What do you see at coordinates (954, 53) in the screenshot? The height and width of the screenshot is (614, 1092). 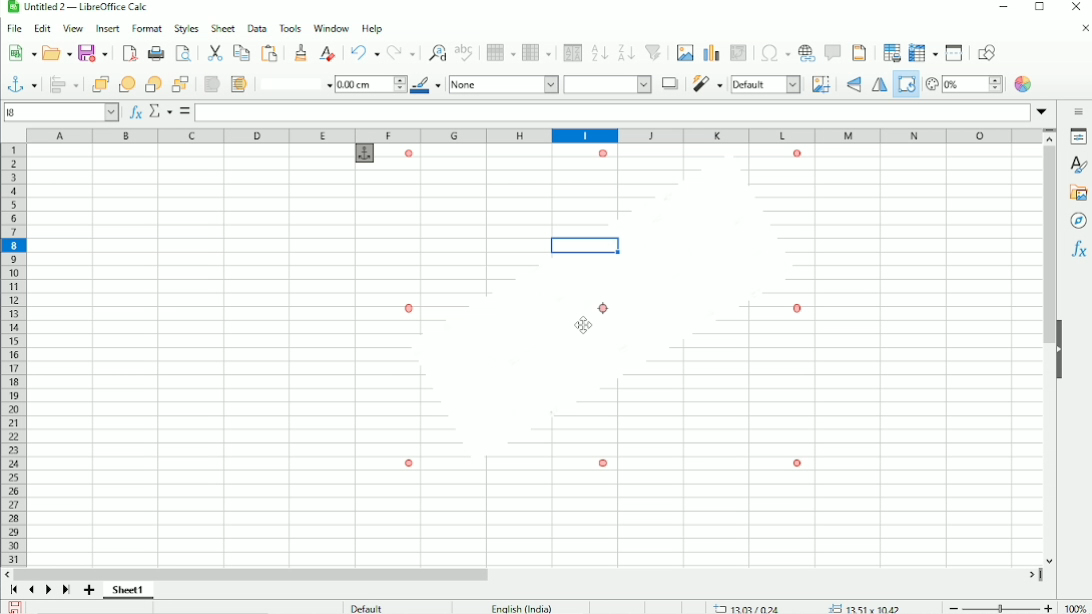 I see `Split window` at bounding box center [954, 53].